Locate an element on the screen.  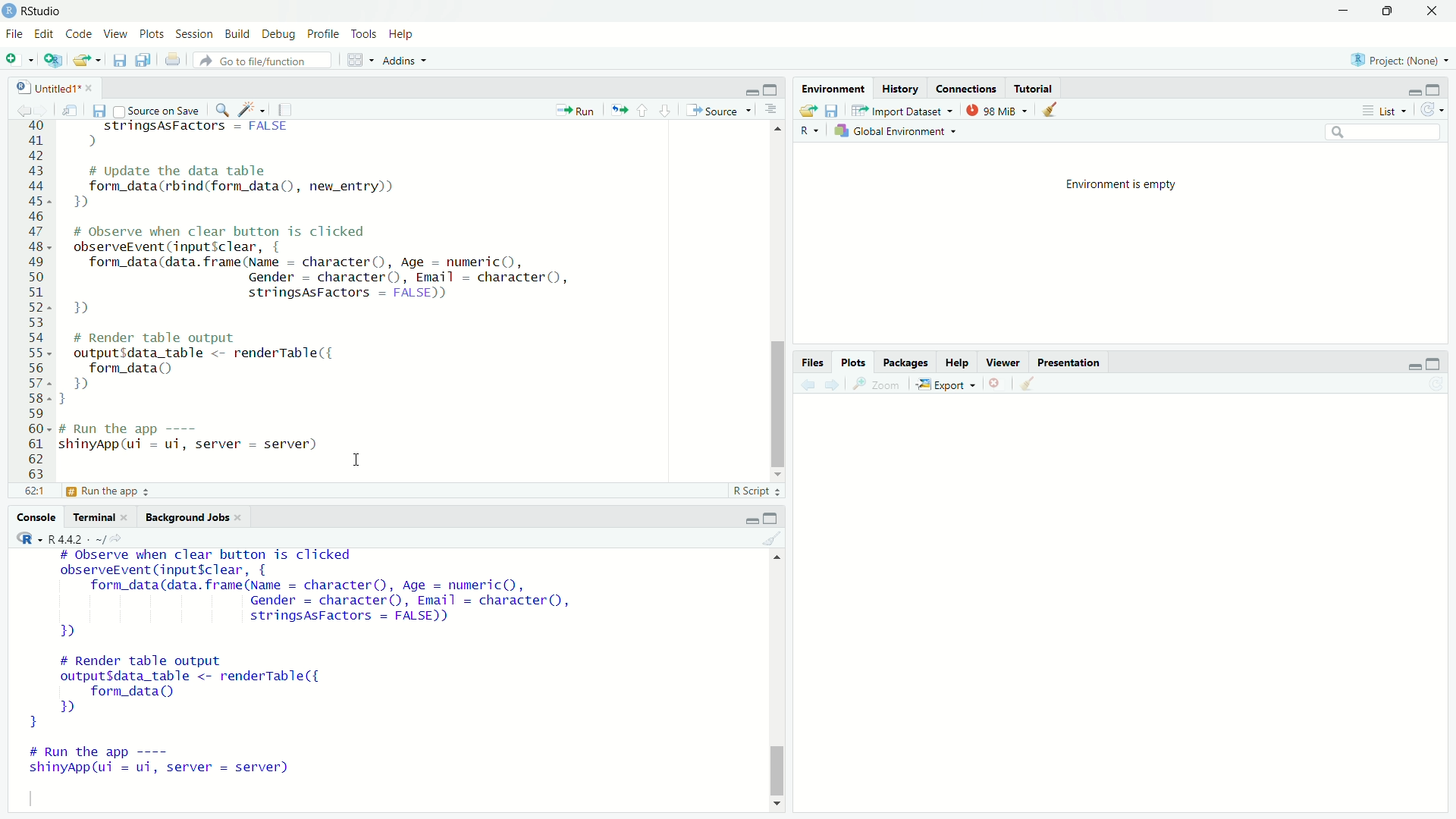
terminal is located at coordinates (93, 517).